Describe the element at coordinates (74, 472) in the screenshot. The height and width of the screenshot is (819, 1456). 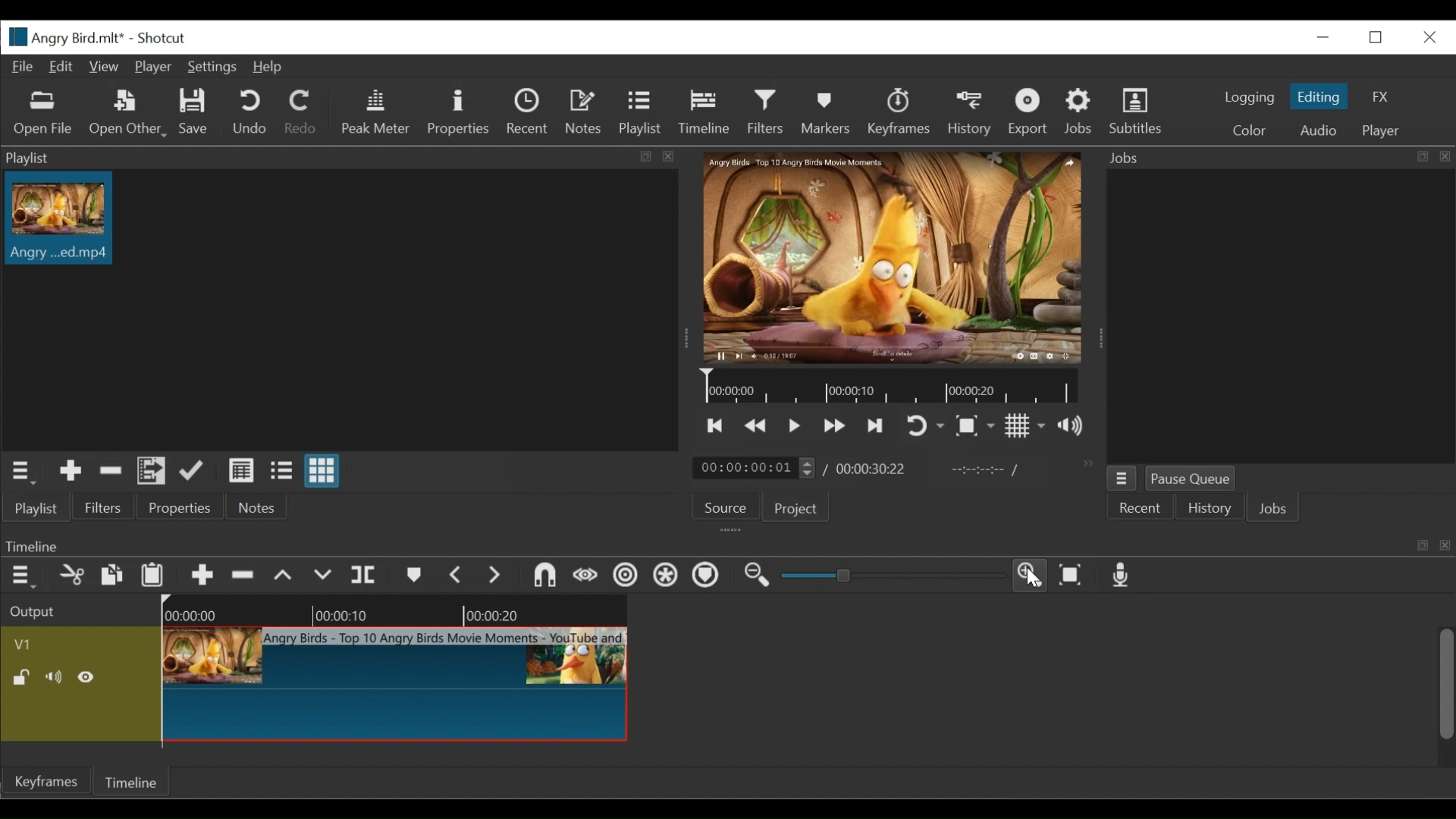
I see `Add Source to the playlist` at that location.